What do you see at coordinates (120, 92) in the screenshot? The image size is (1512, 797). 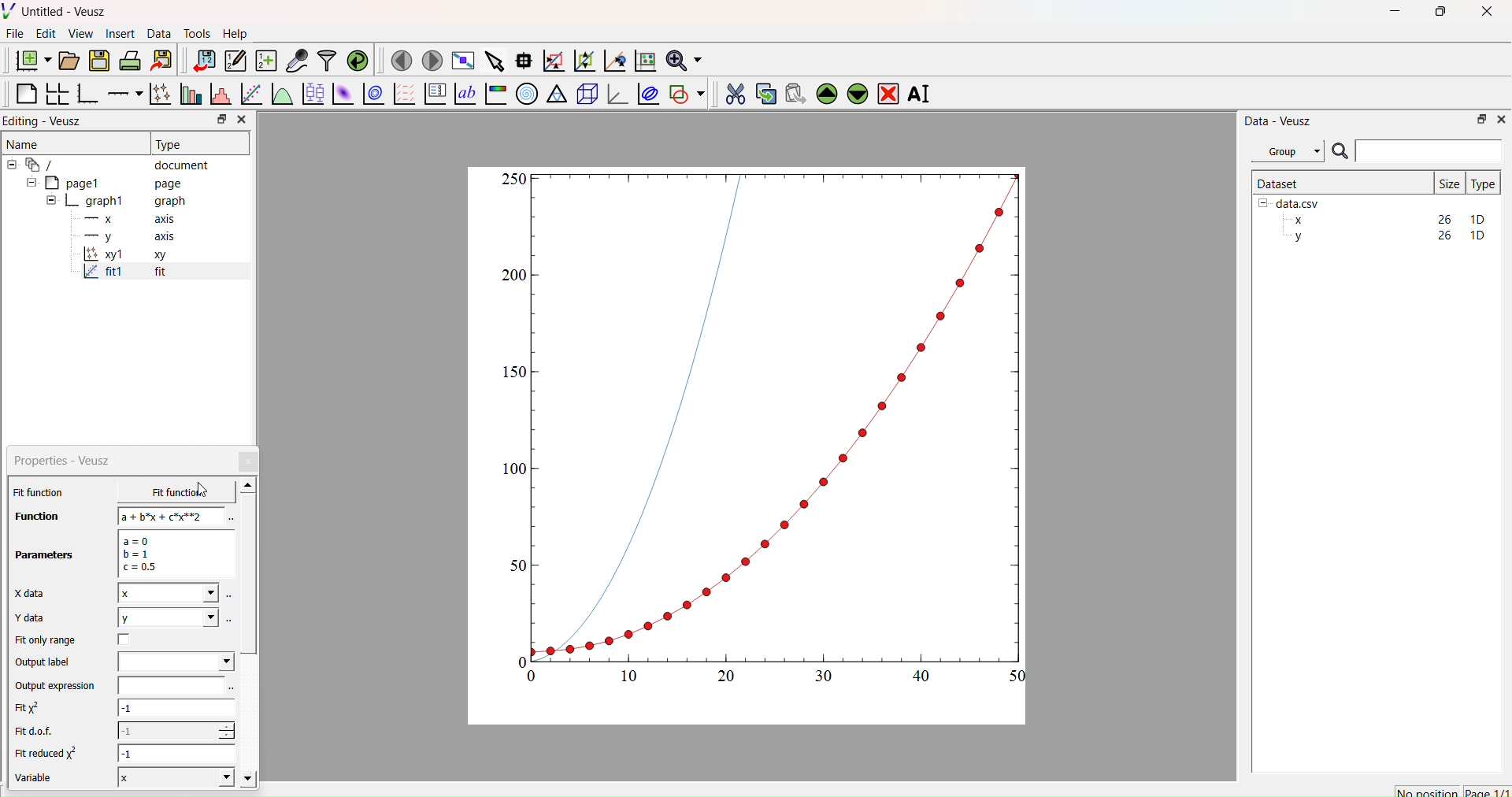 I see `Add an axis to plot` at bounding box center [120, 92].